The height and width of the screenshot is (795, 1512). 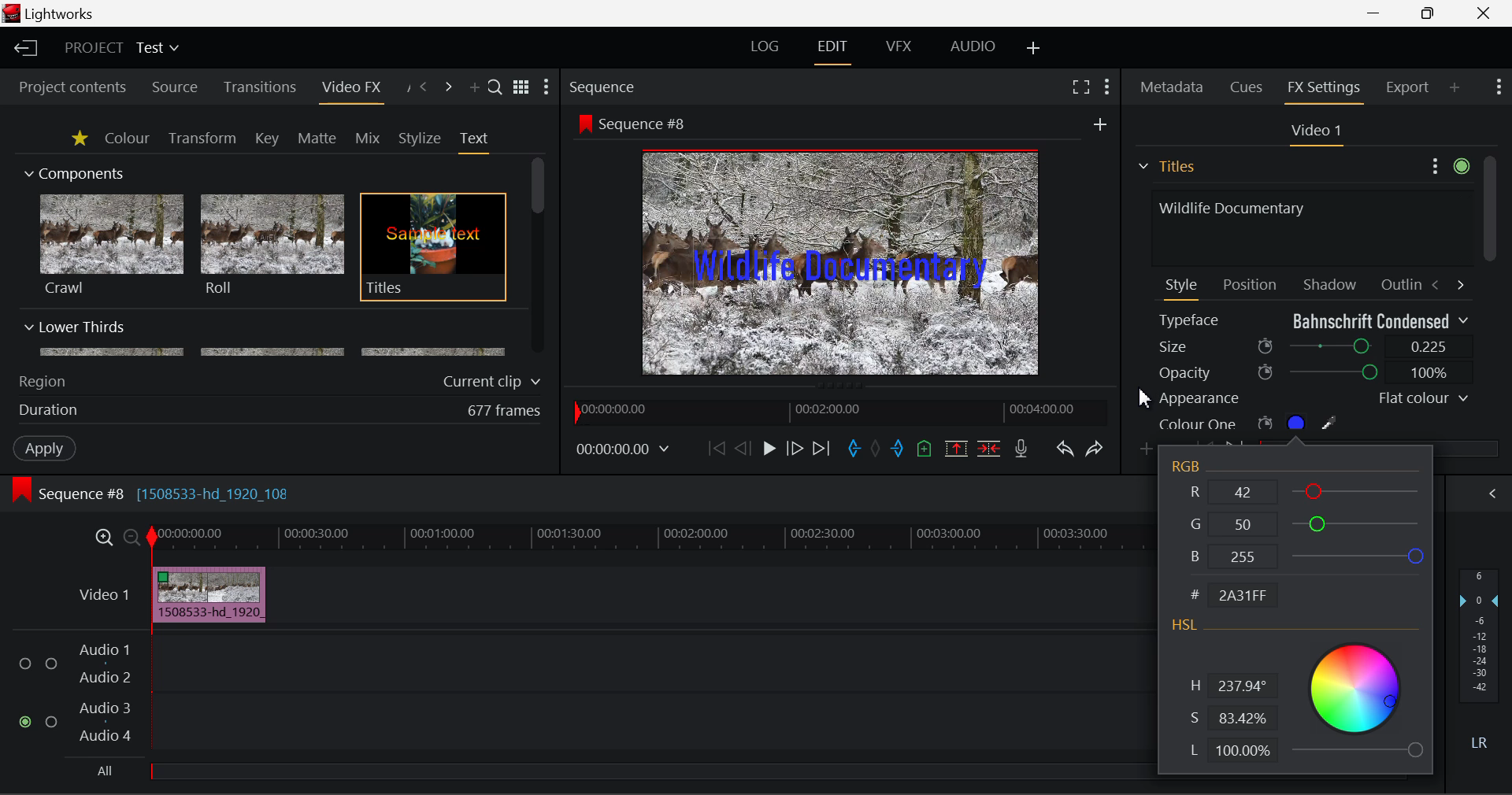 I want to click on Show Settings, so click(x=1499, y=85).